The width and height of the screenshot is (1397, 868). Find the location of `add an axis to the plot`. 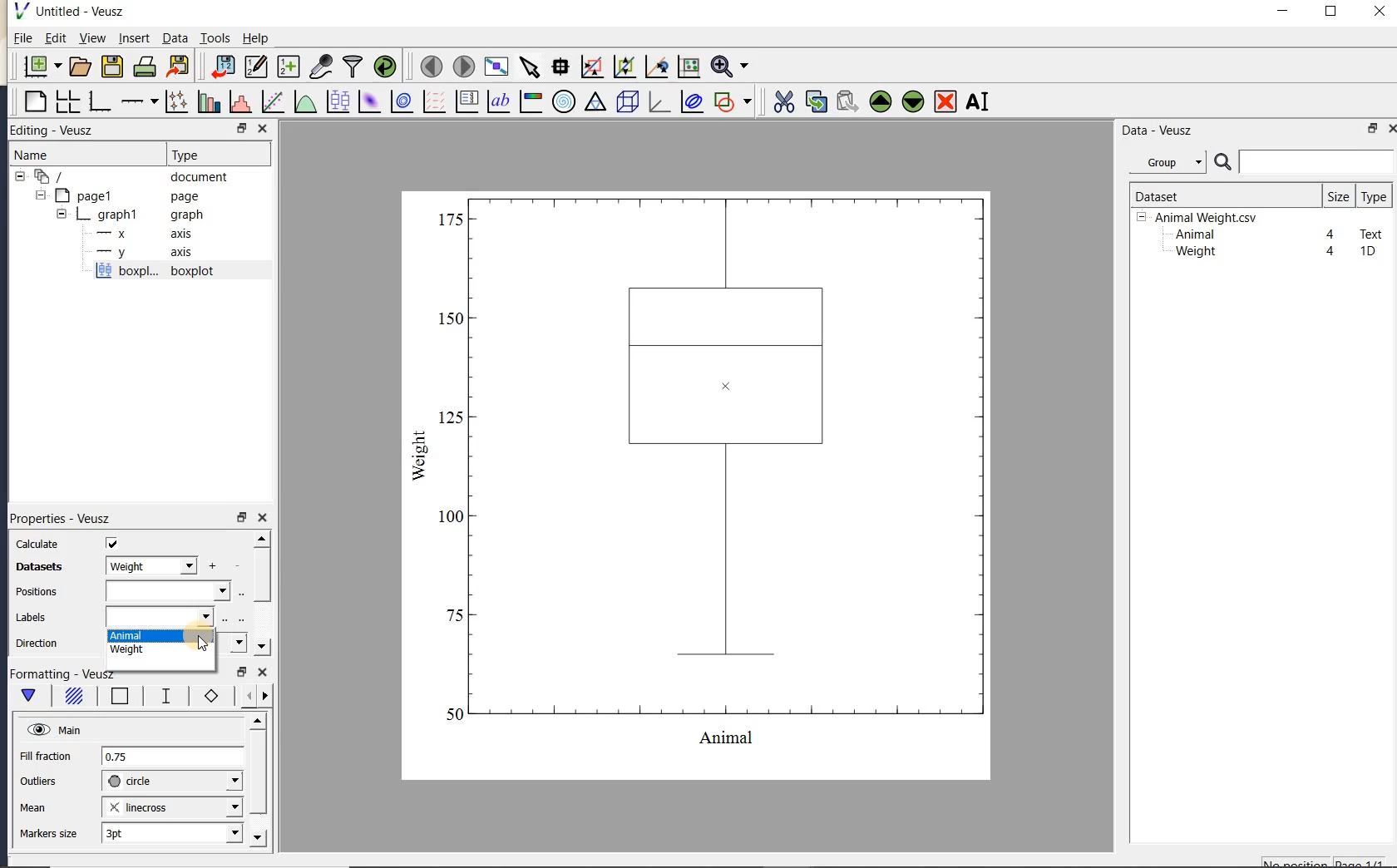

add an axis to the plot is located at coordinates (139, 101).